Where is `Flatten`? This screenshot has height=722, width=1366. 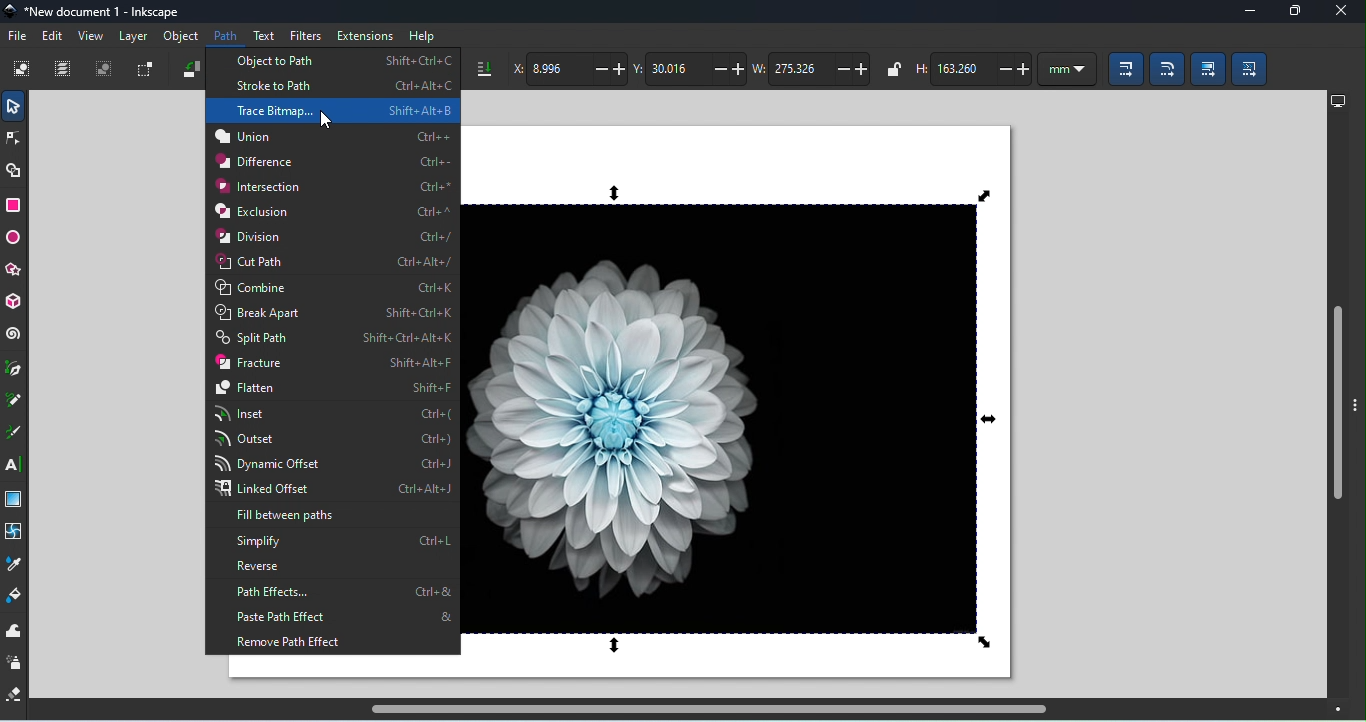 Flatten is located at coordinates (334, 387).